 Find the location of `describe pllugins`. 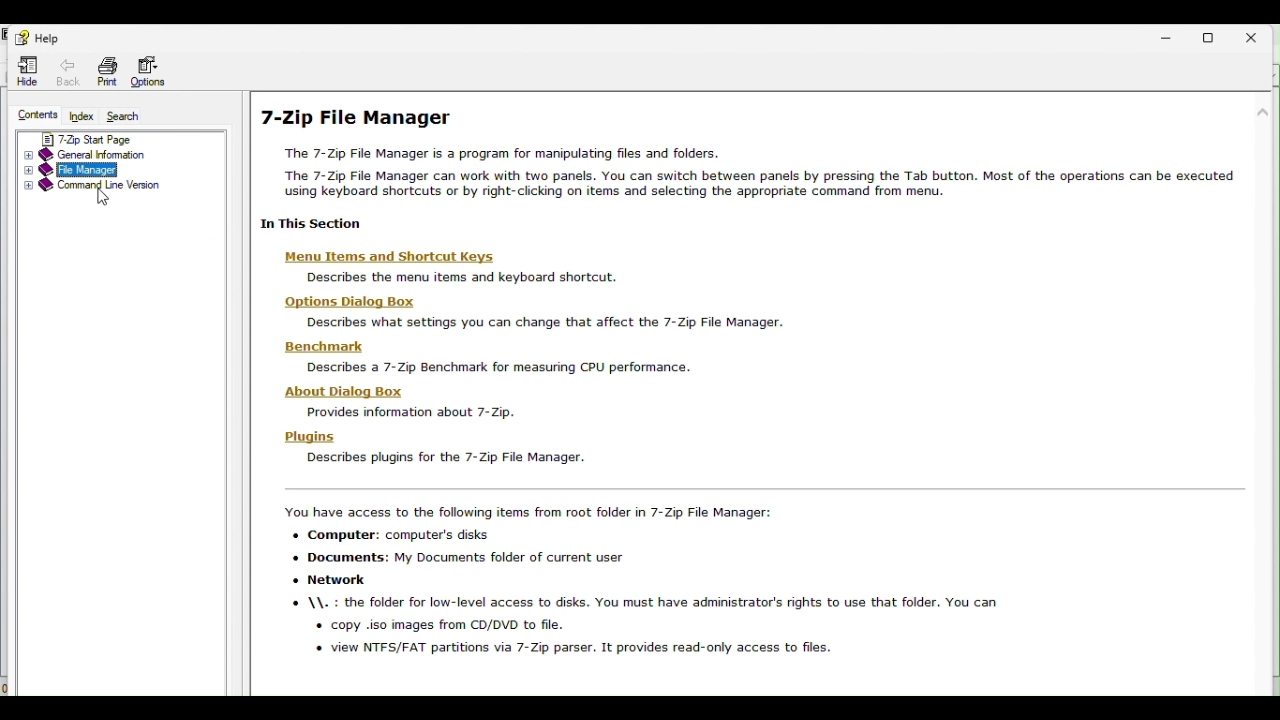

describe pllugins is located at coordinates (446, 459).